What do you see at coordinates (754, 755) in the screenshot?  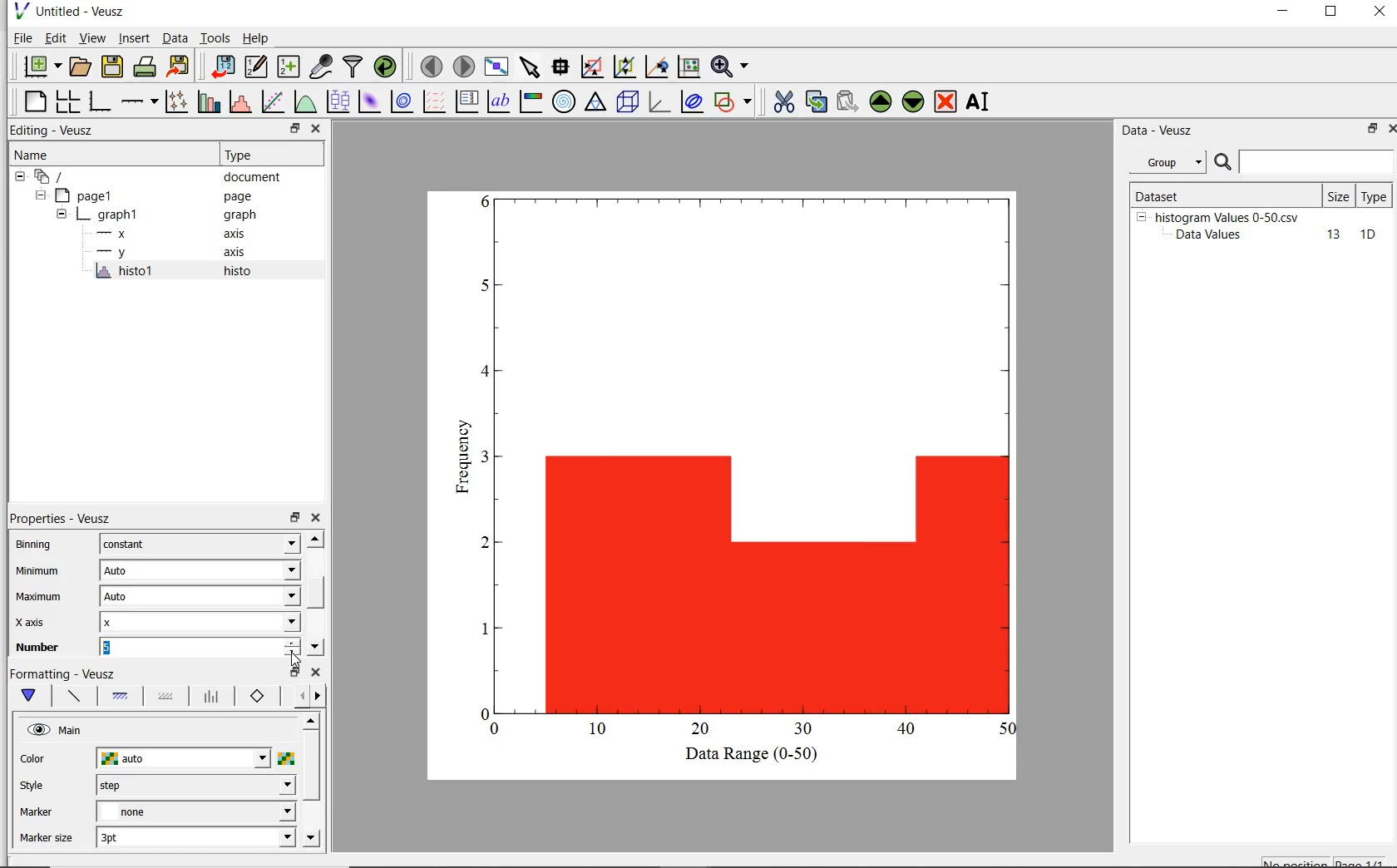 I see `Data Range (0-50)` at bounding box center [754, 755].